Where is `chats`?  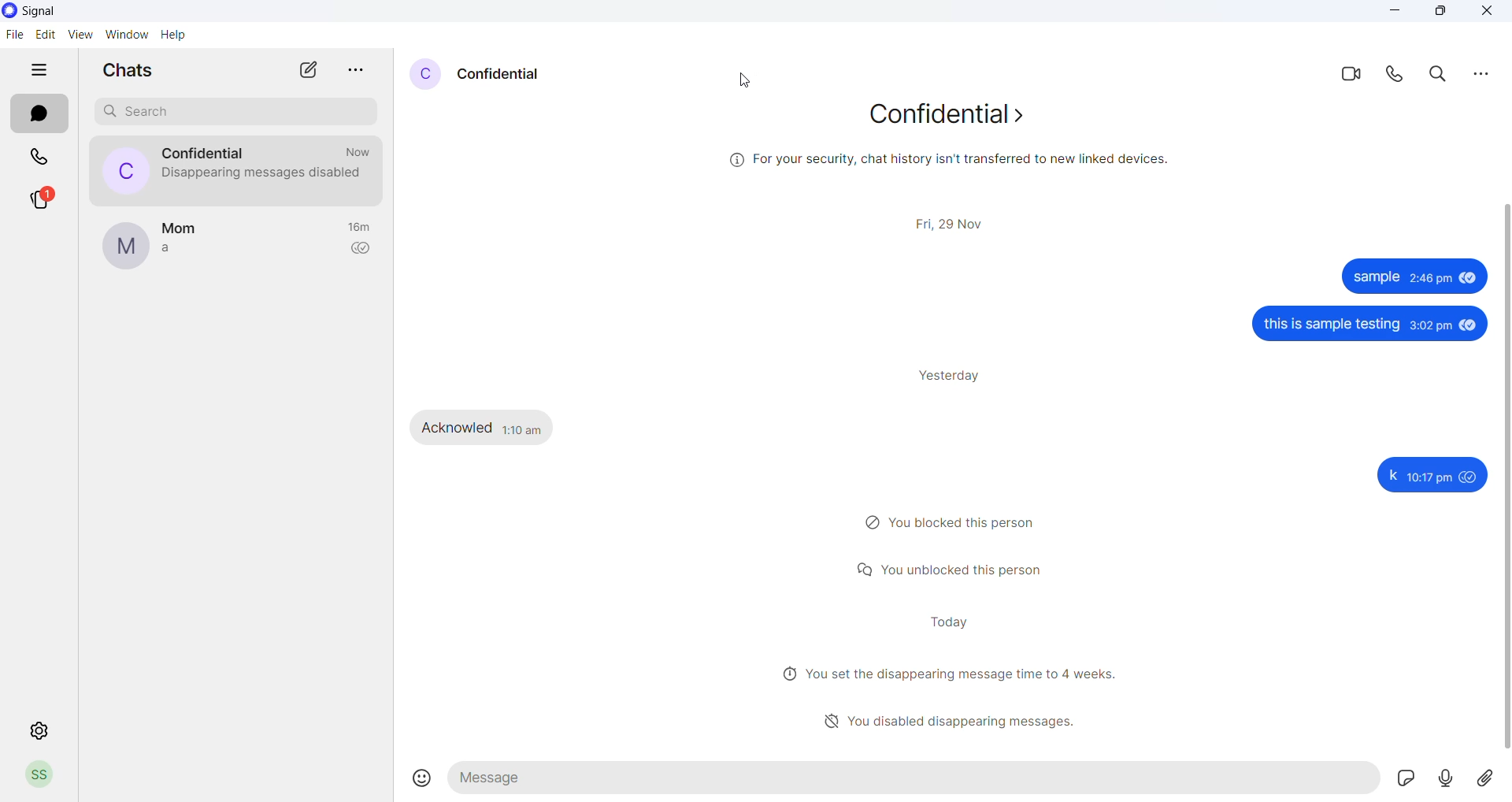
chats is located at coordinates (41, 114).